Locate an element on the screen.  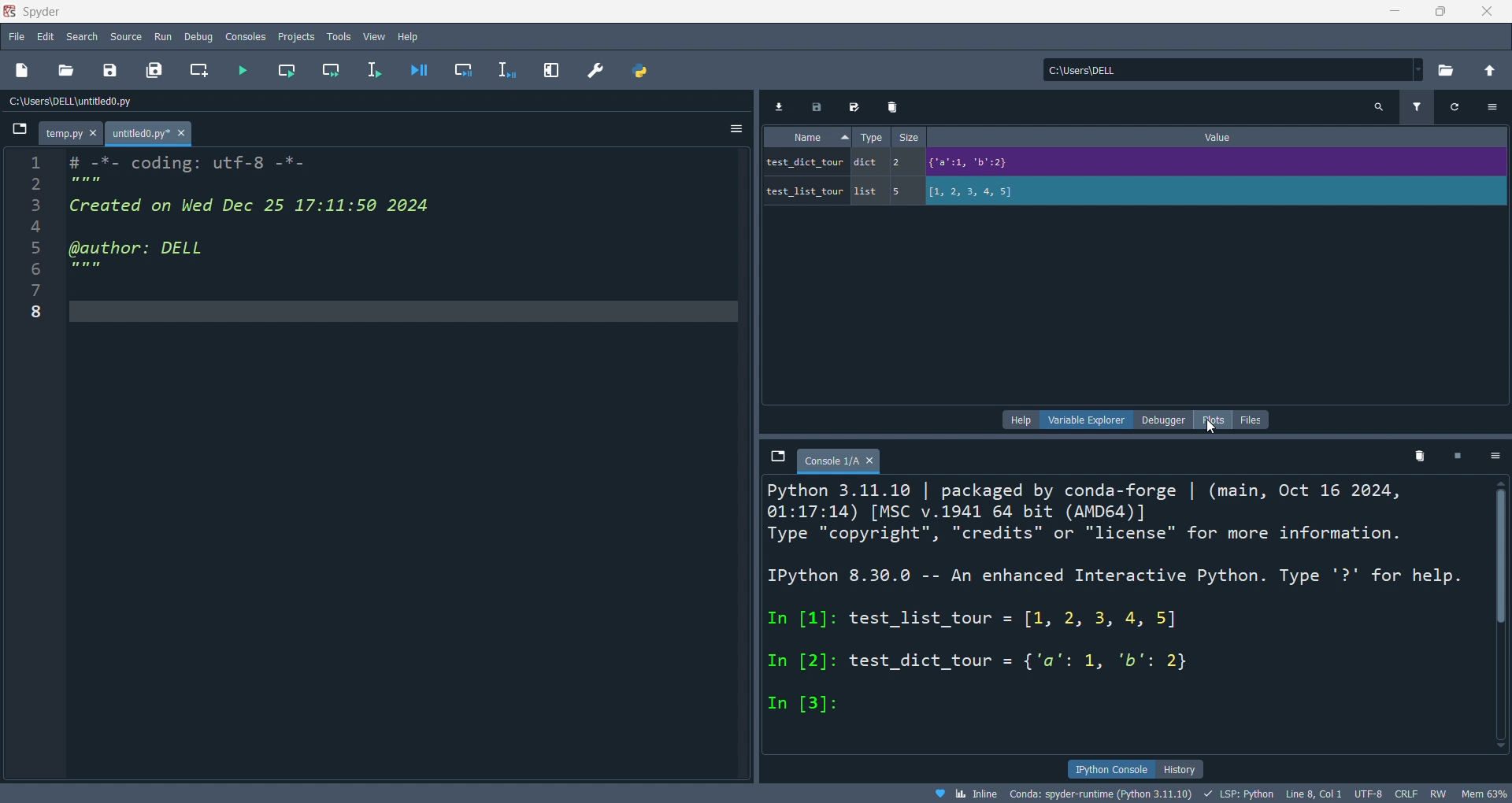
search is located at coordinates (1379, 105).